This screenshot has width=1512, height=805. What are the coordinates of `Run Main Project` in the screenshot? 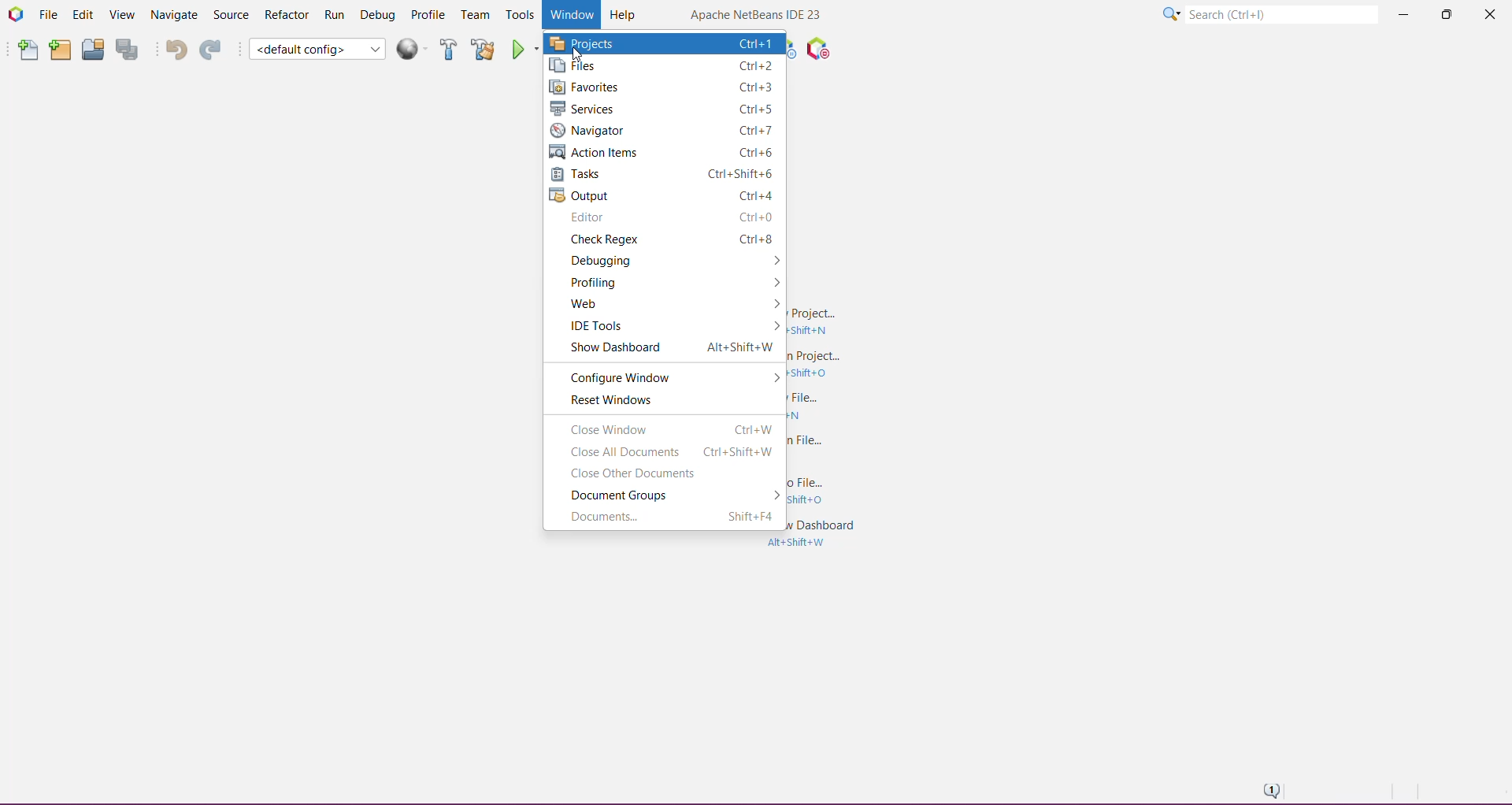 It's located at (525, 49).